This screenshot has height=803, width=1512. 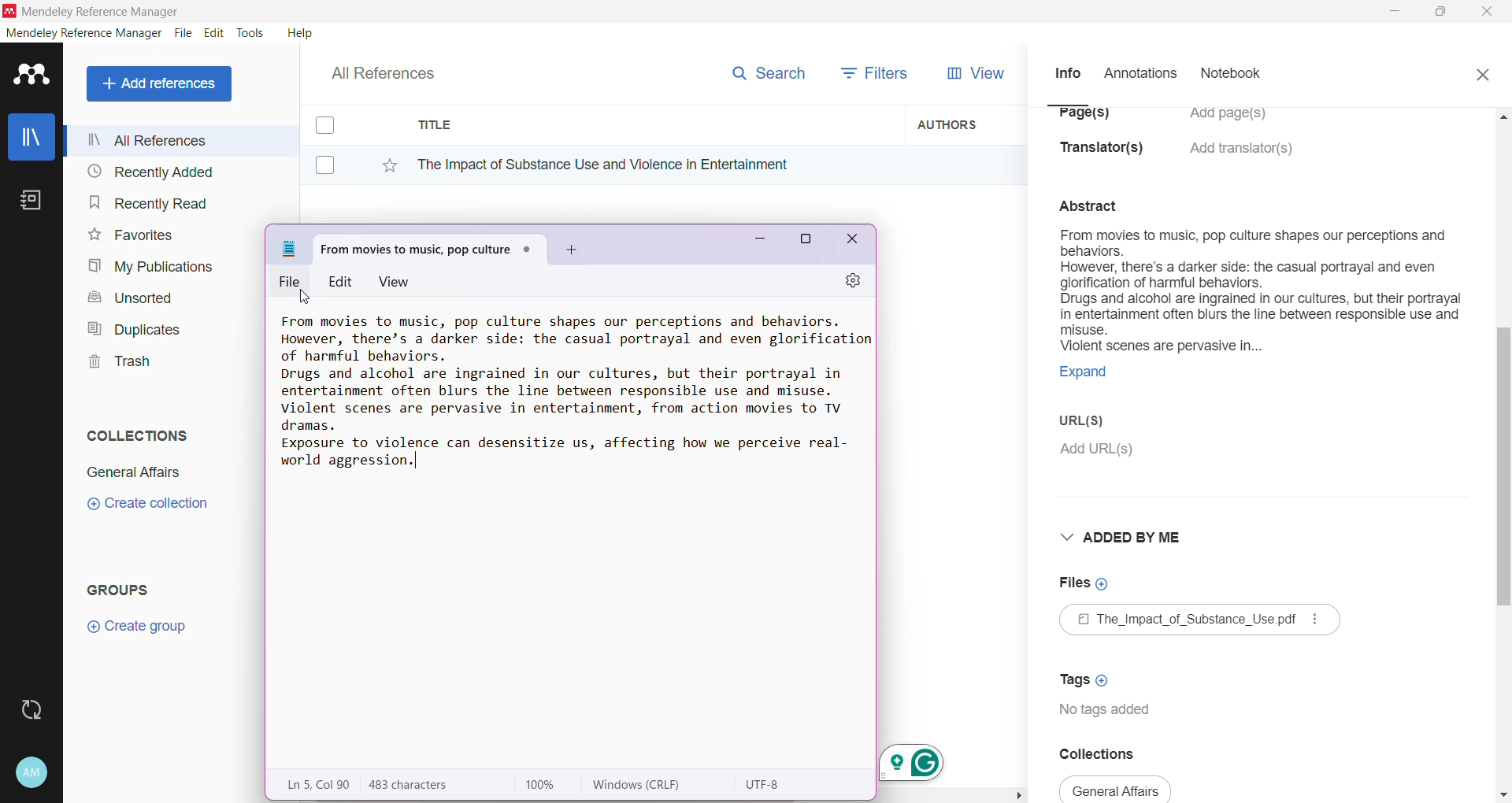 I want to click on Filters, so click(x=879, y=72).